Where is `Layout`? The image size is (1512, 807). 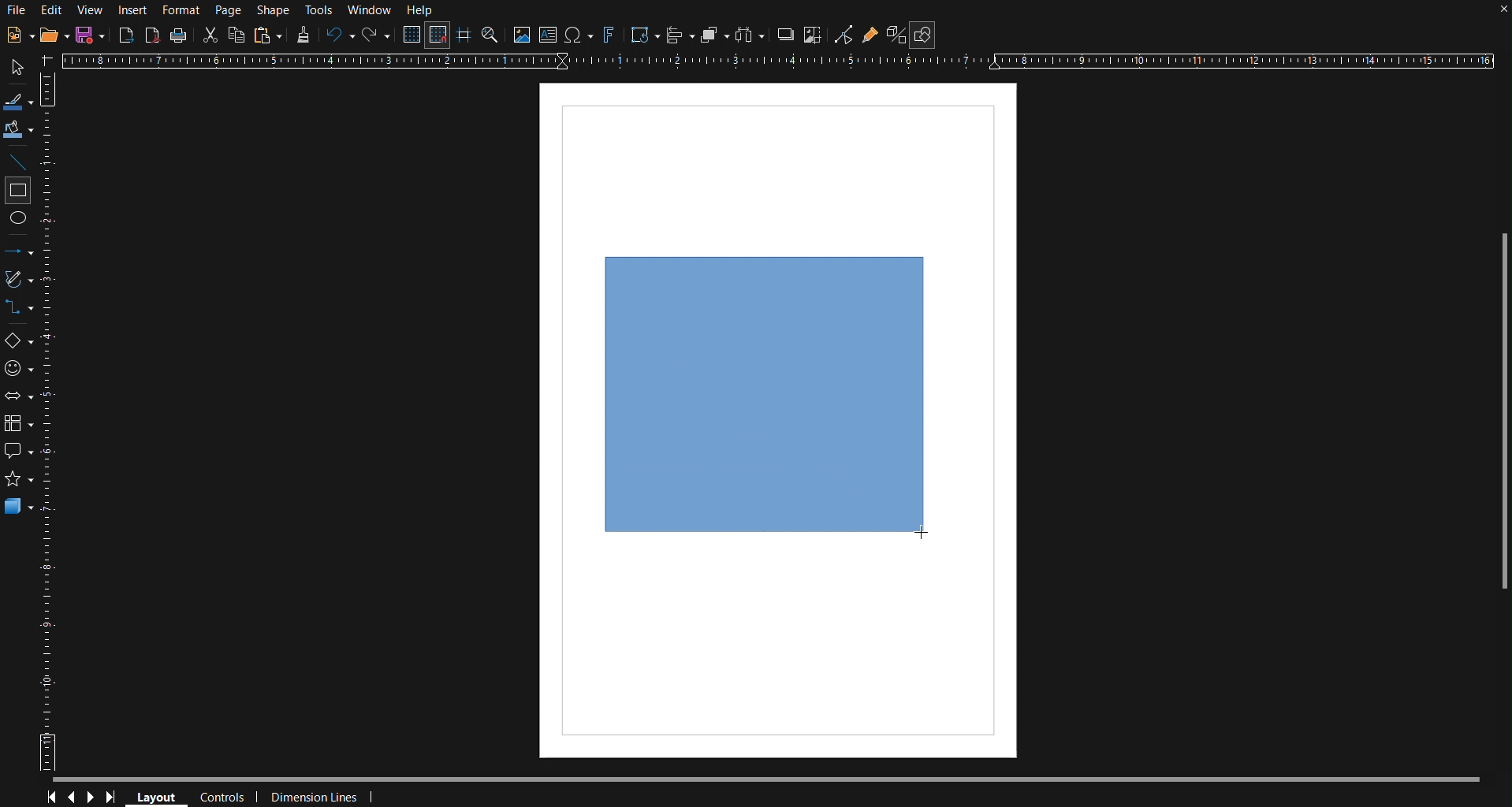
Layout is located at coordinates (155, 796).